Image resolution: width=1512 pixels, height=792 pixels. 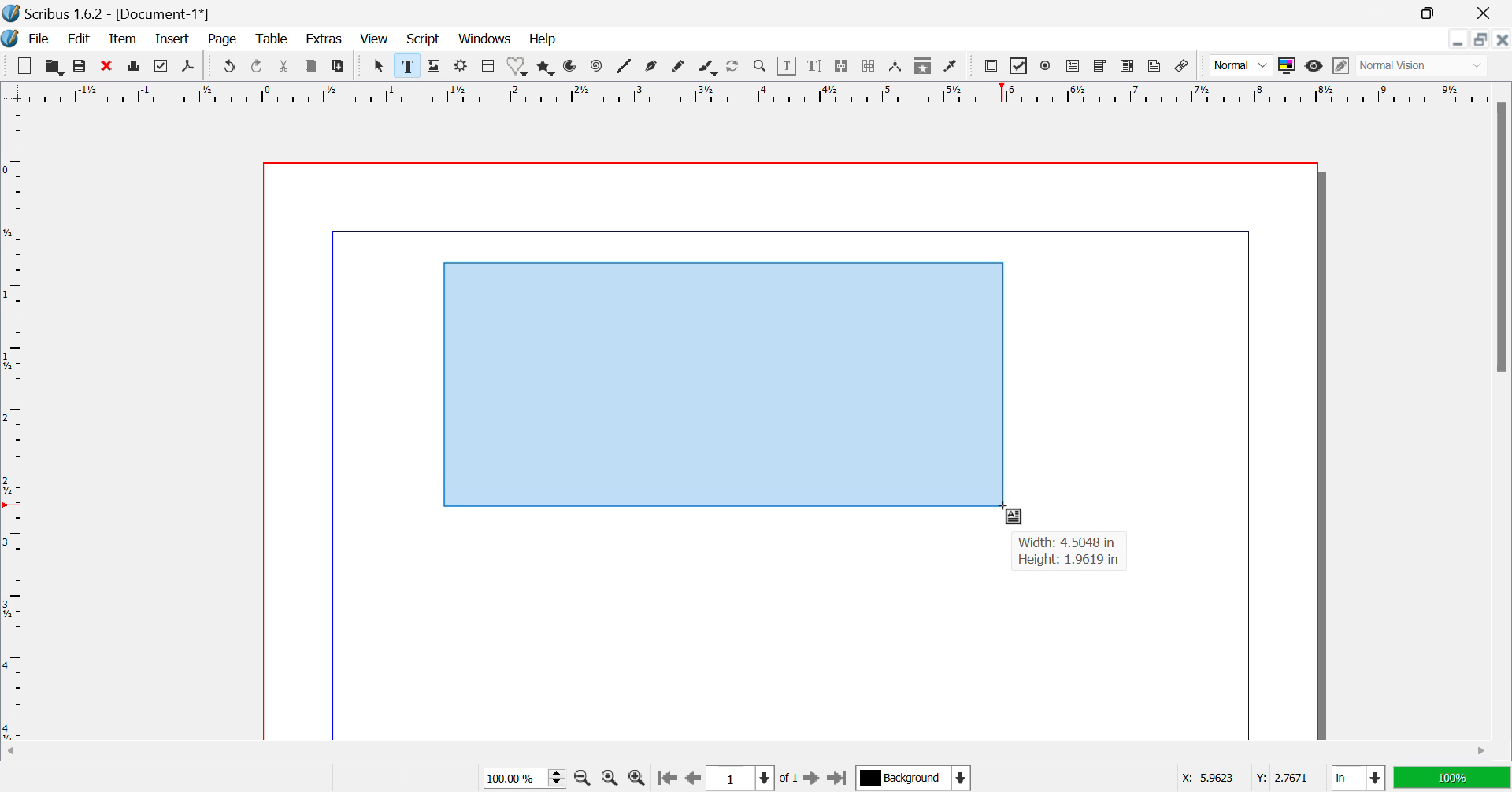 I want to click on Cut, so click(x=284, y=66).